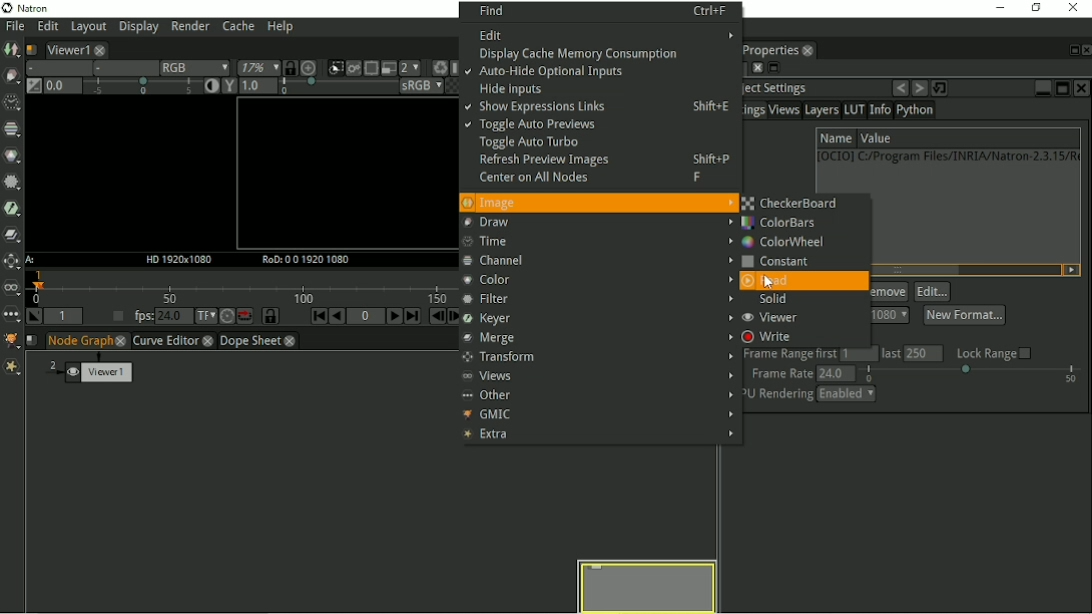 This screenshot has height=614, width=1092. Describe the element at coordinates (13, 288) in the screenshot. I see `Views` at that location.